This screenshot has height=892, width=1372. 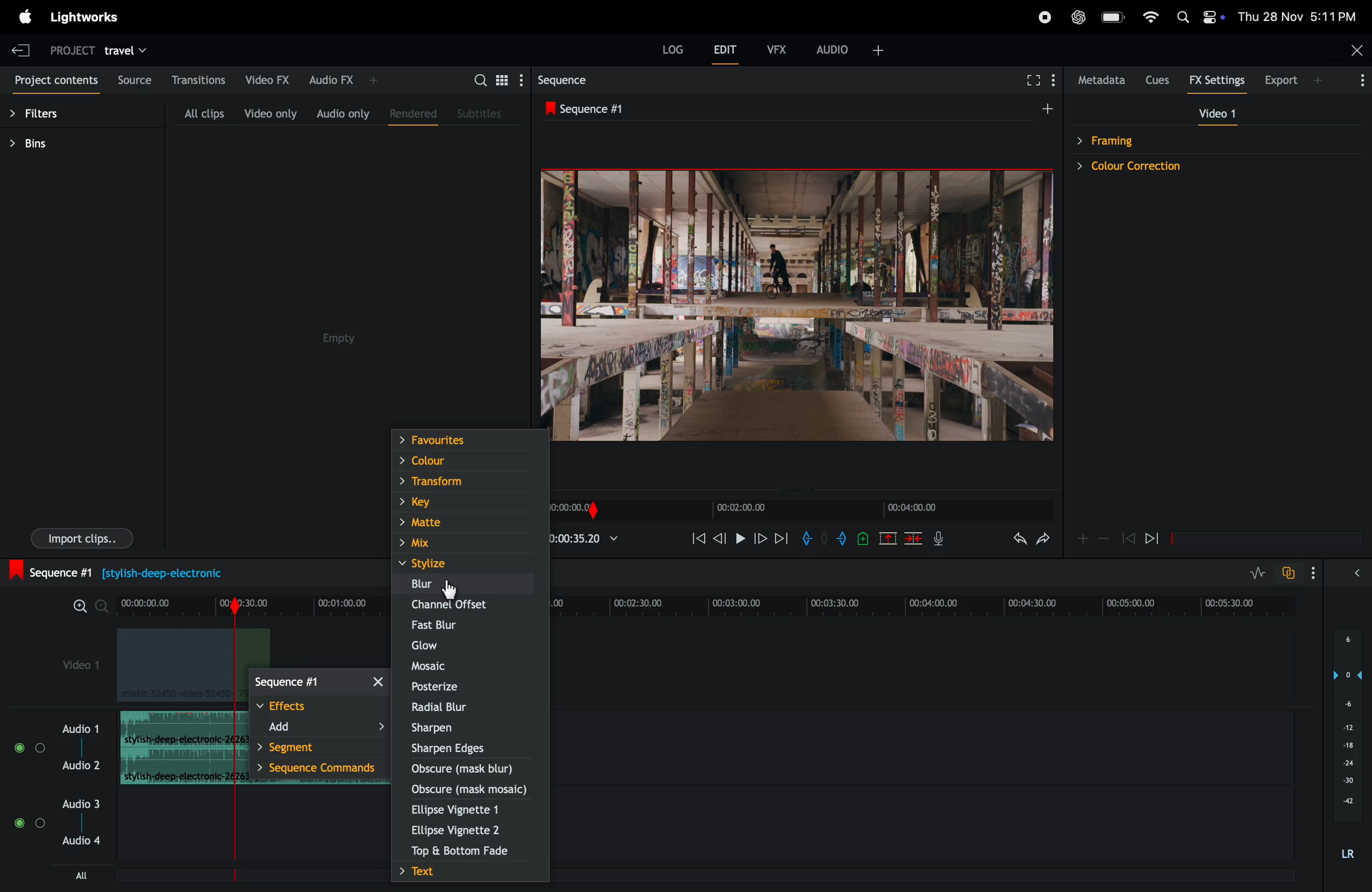 I want to click on text, so click(x=465, y=872).